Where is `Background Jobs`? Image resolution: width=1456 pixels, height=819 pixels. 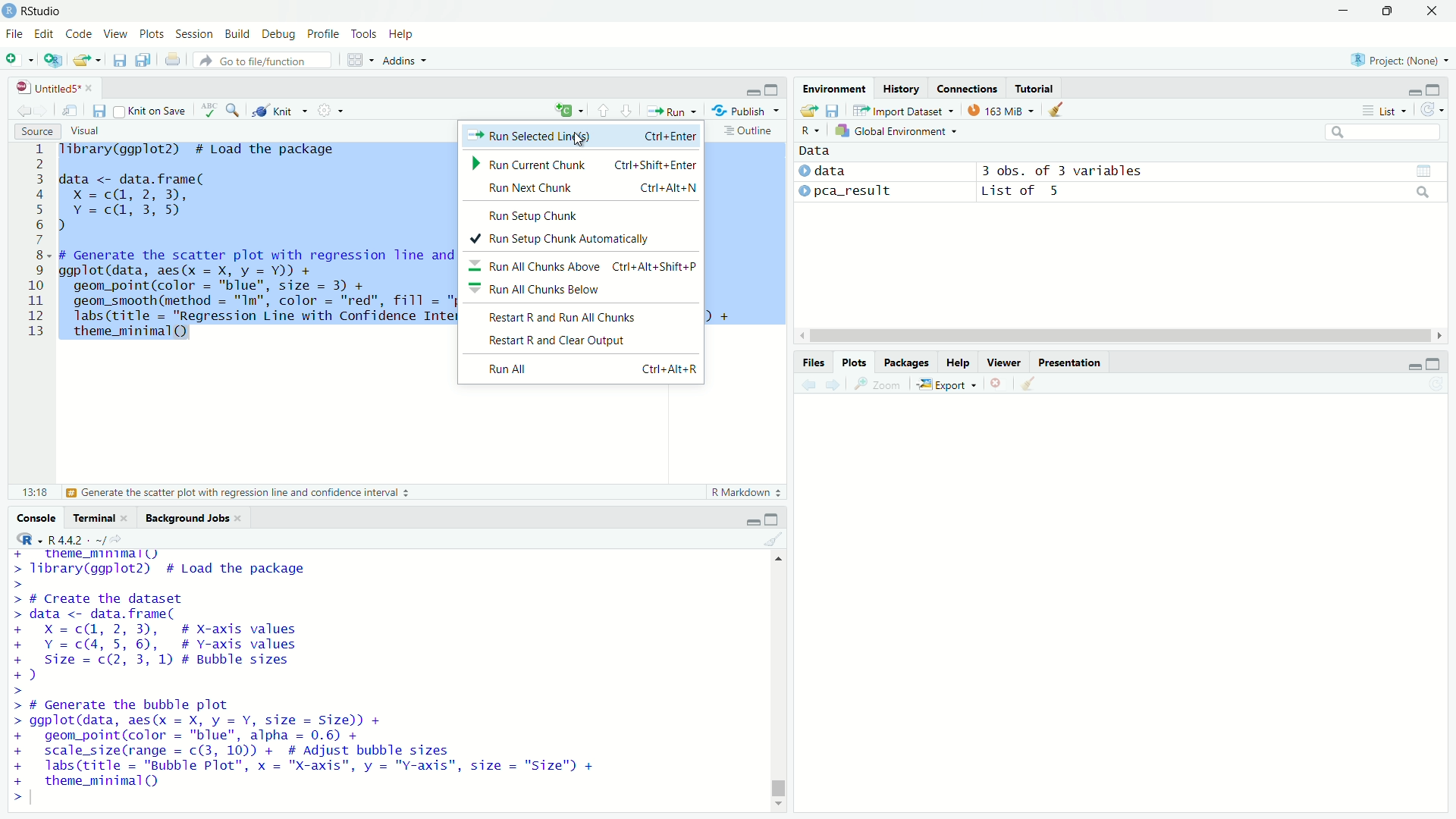
Background Jobs is located at coordinates (185, 519).